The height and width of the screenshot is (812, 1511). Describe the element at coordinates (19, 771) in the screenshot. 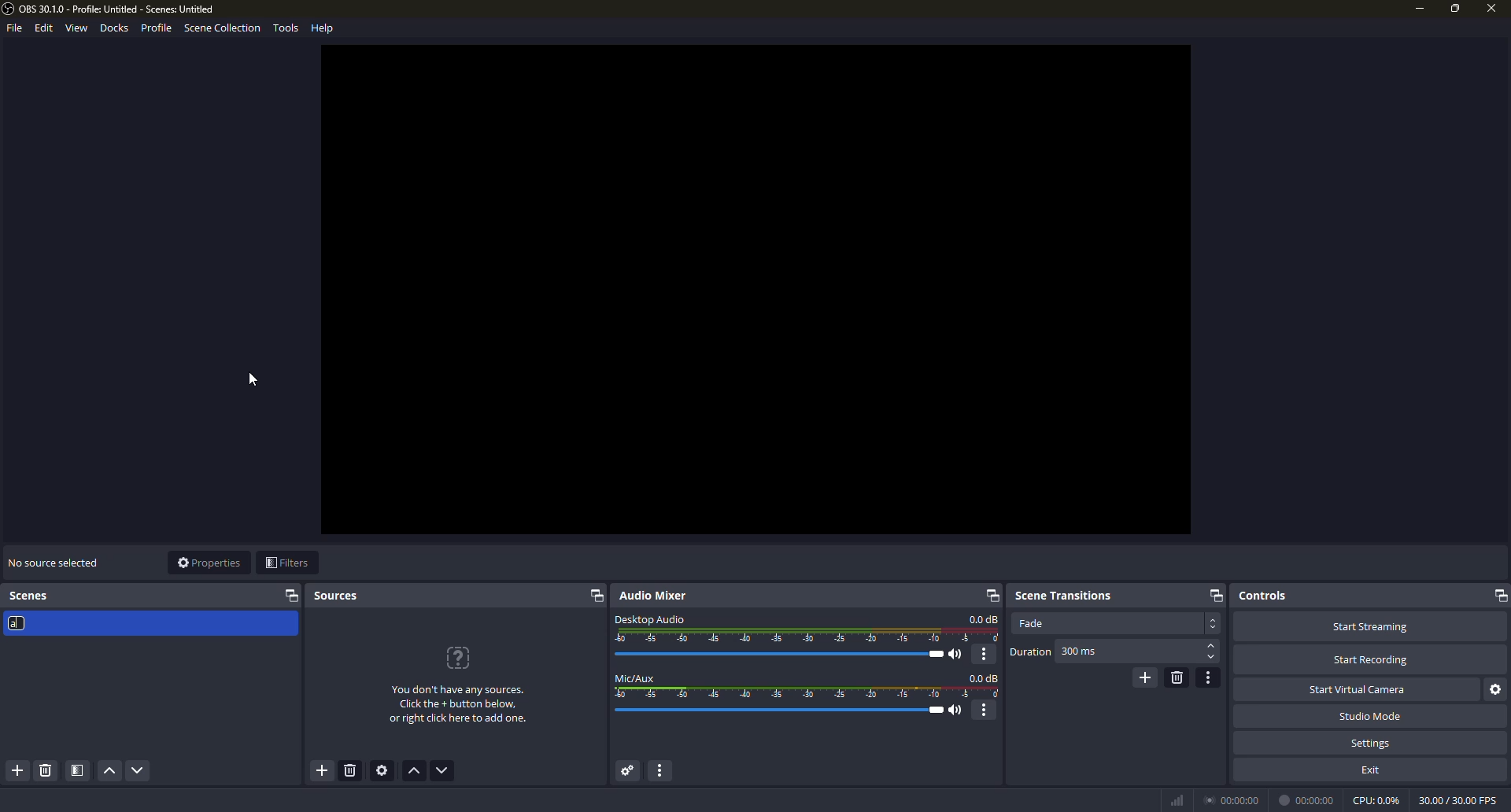

I see `add scene` at that location.